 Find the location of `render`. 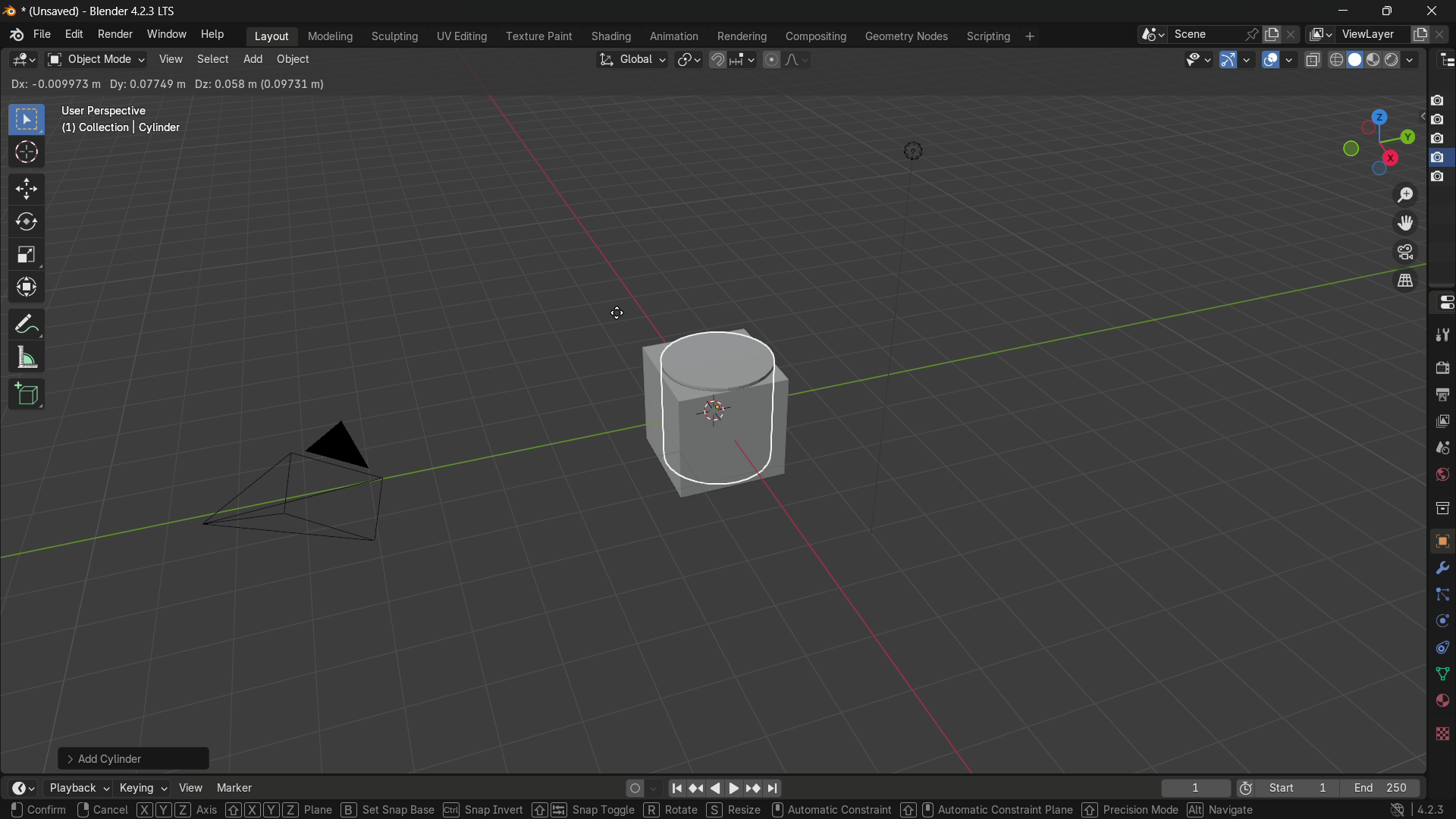

render is located at coordinates (1403, 59).